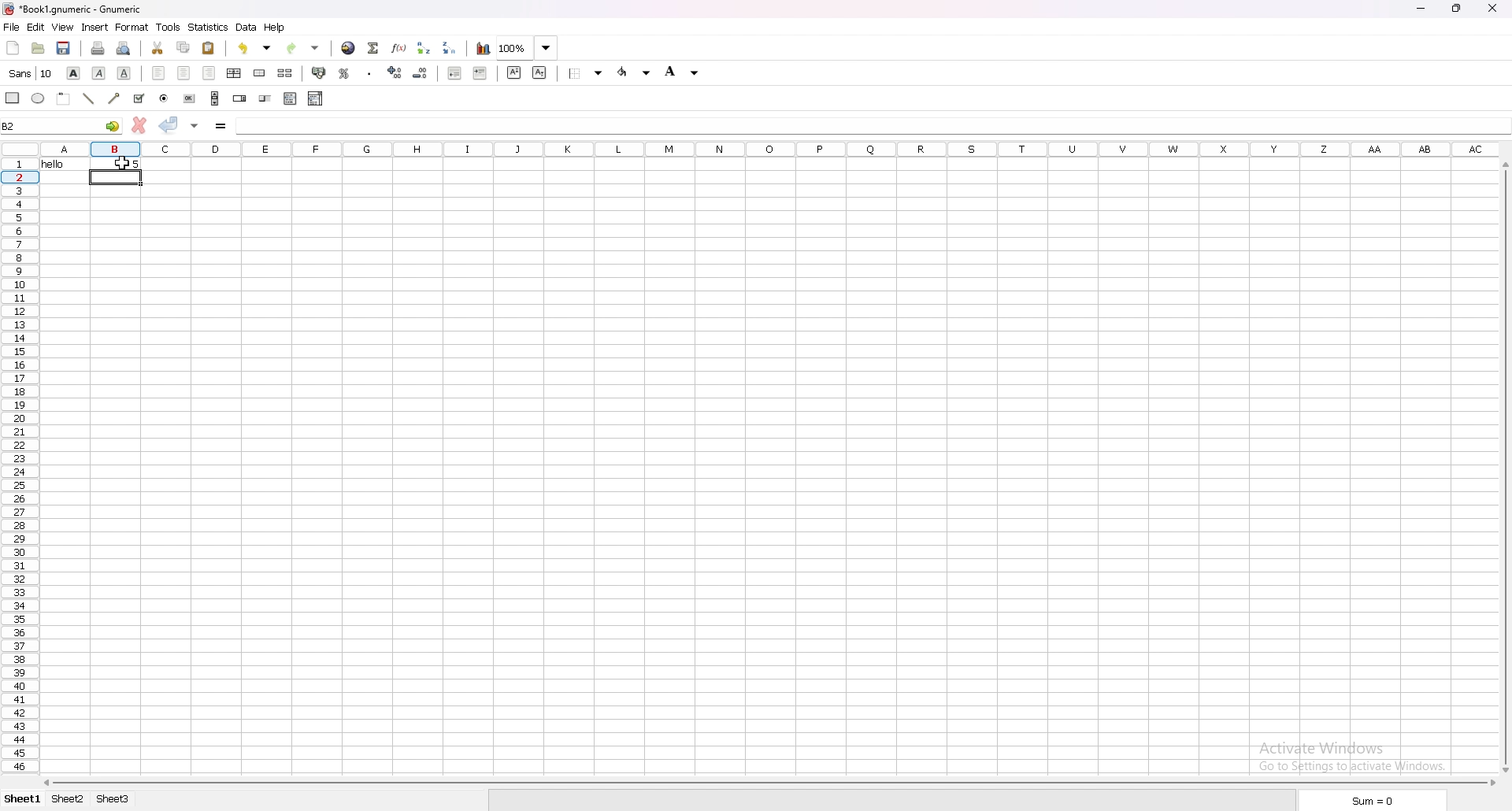 This screenshot has width=1512, height=811. What do you see at coordinates (1456, 9) in the screenshot?
I see `resize` at bounding box center [1456, 9].